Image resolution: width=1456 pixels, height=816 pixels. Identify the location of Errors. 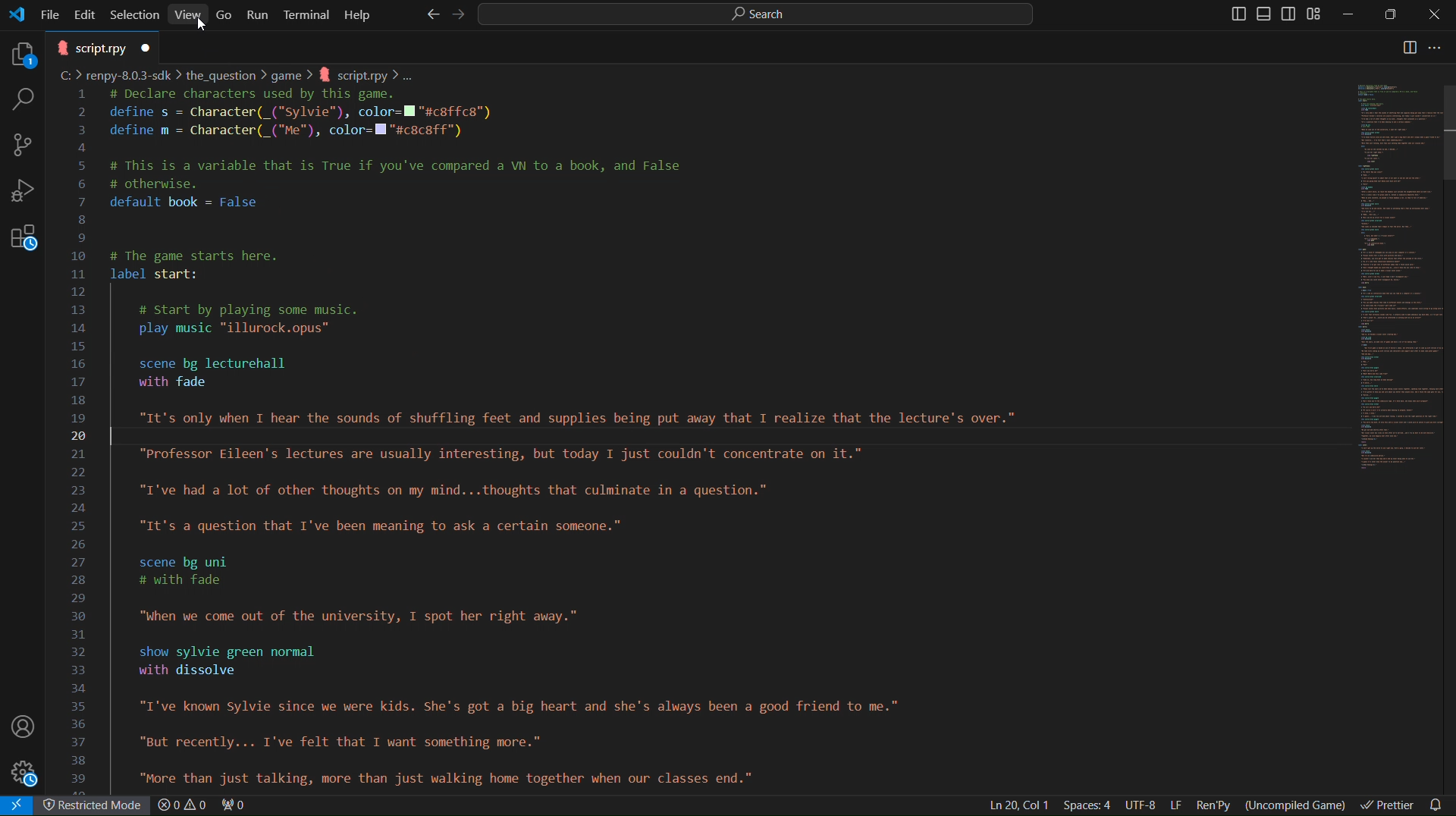
(204, 806).